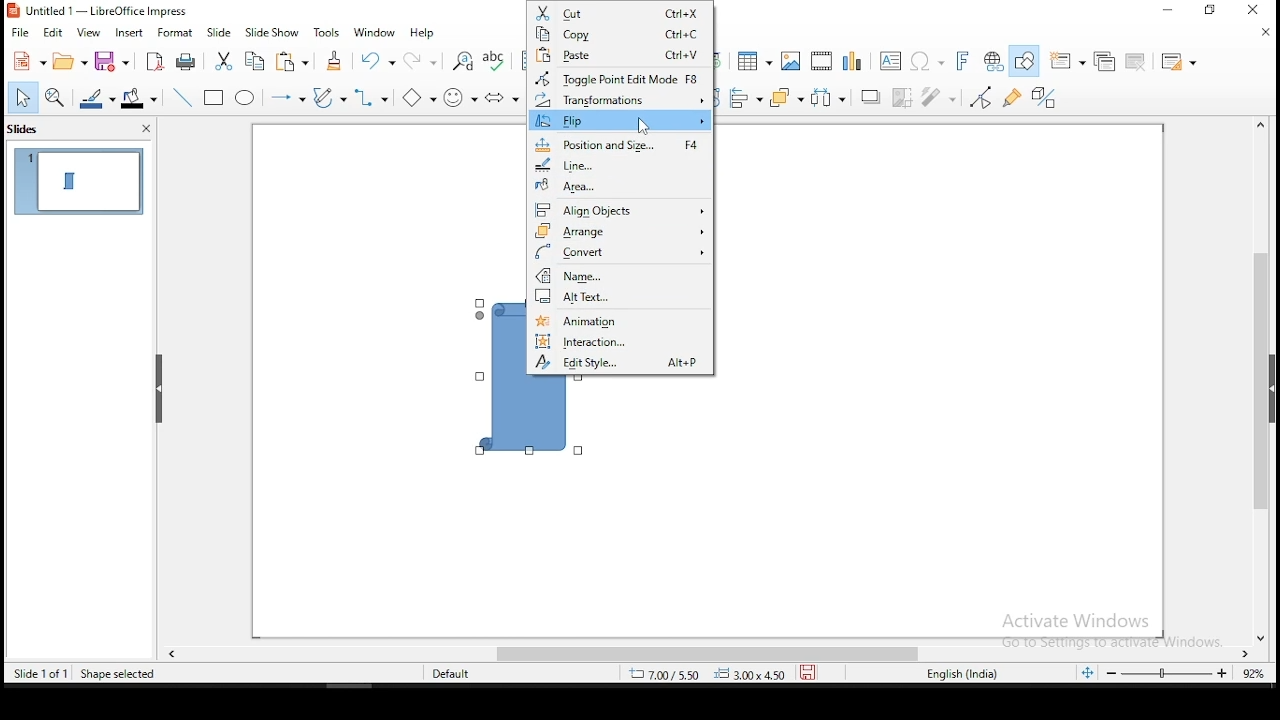 This screenshot has height=720, width=1280. I want to click on paste, so click(295, 62).